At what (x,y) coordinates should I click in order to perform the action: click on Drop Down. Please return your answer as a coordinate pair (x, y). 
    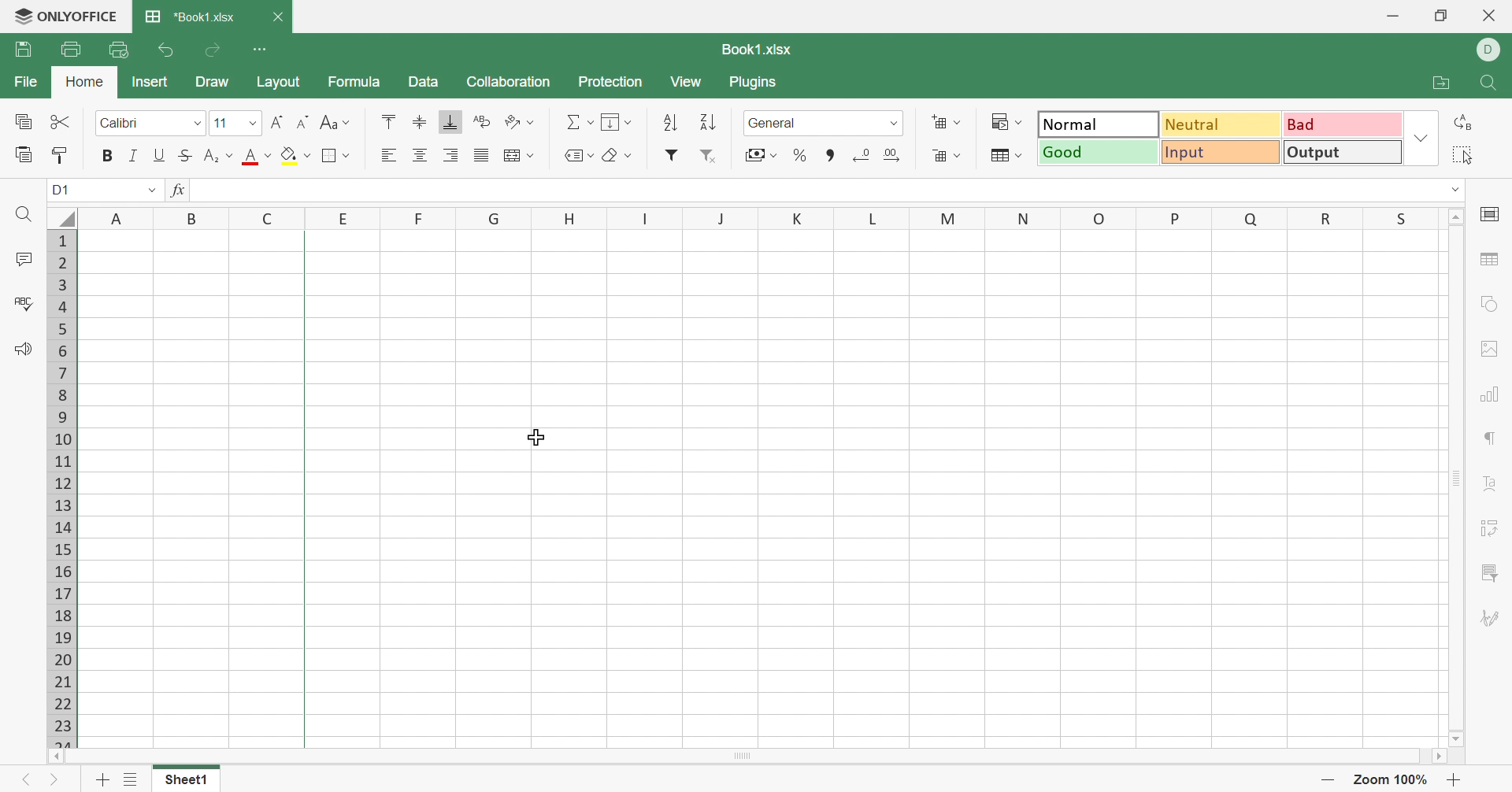
    Looking at the image, I should click on (533, 124).